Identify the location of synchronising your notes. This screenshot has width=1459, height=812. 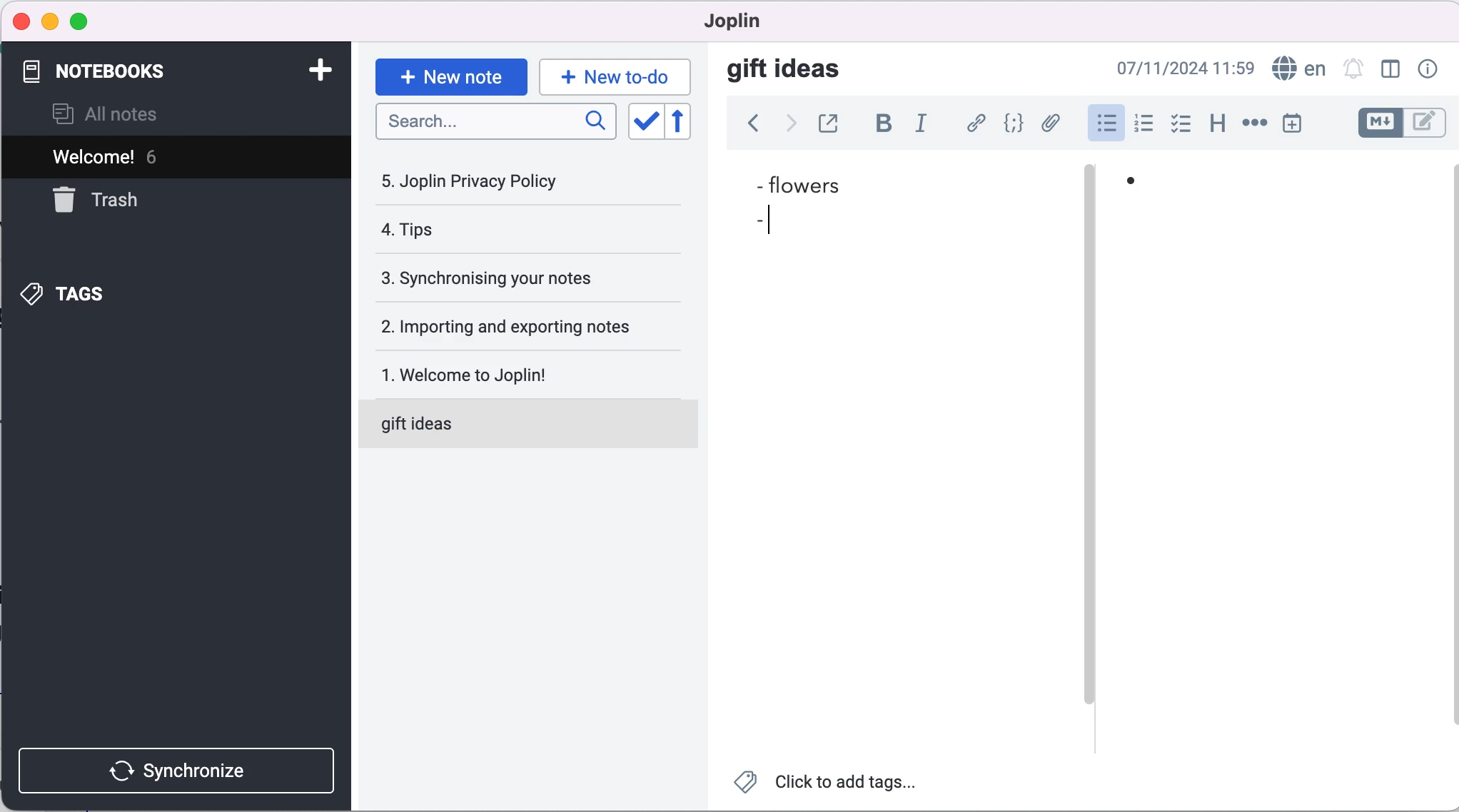
(519, 276).